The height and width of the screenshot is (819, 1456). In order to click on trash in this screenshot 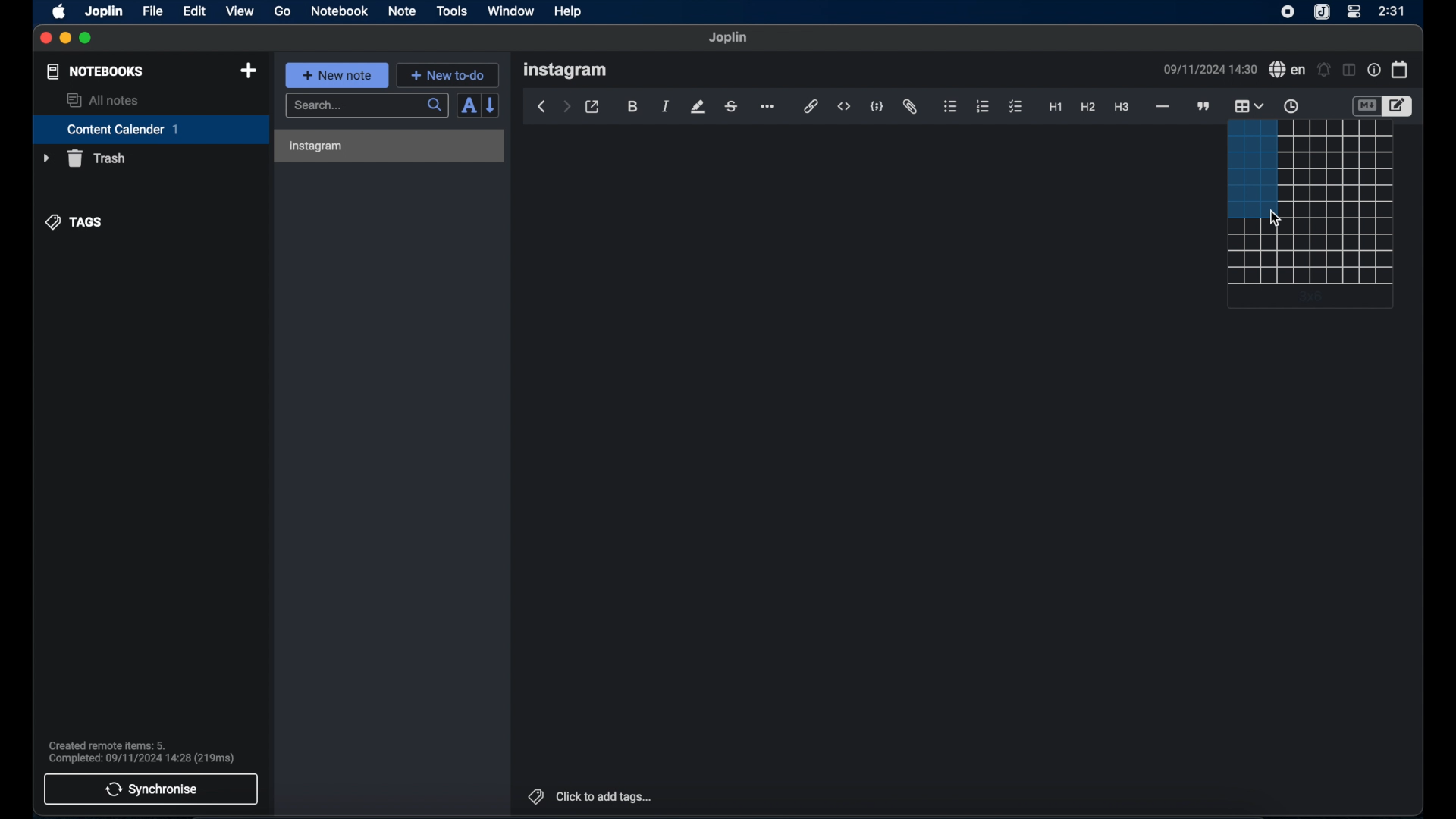, I will do `click(84, 158)`.